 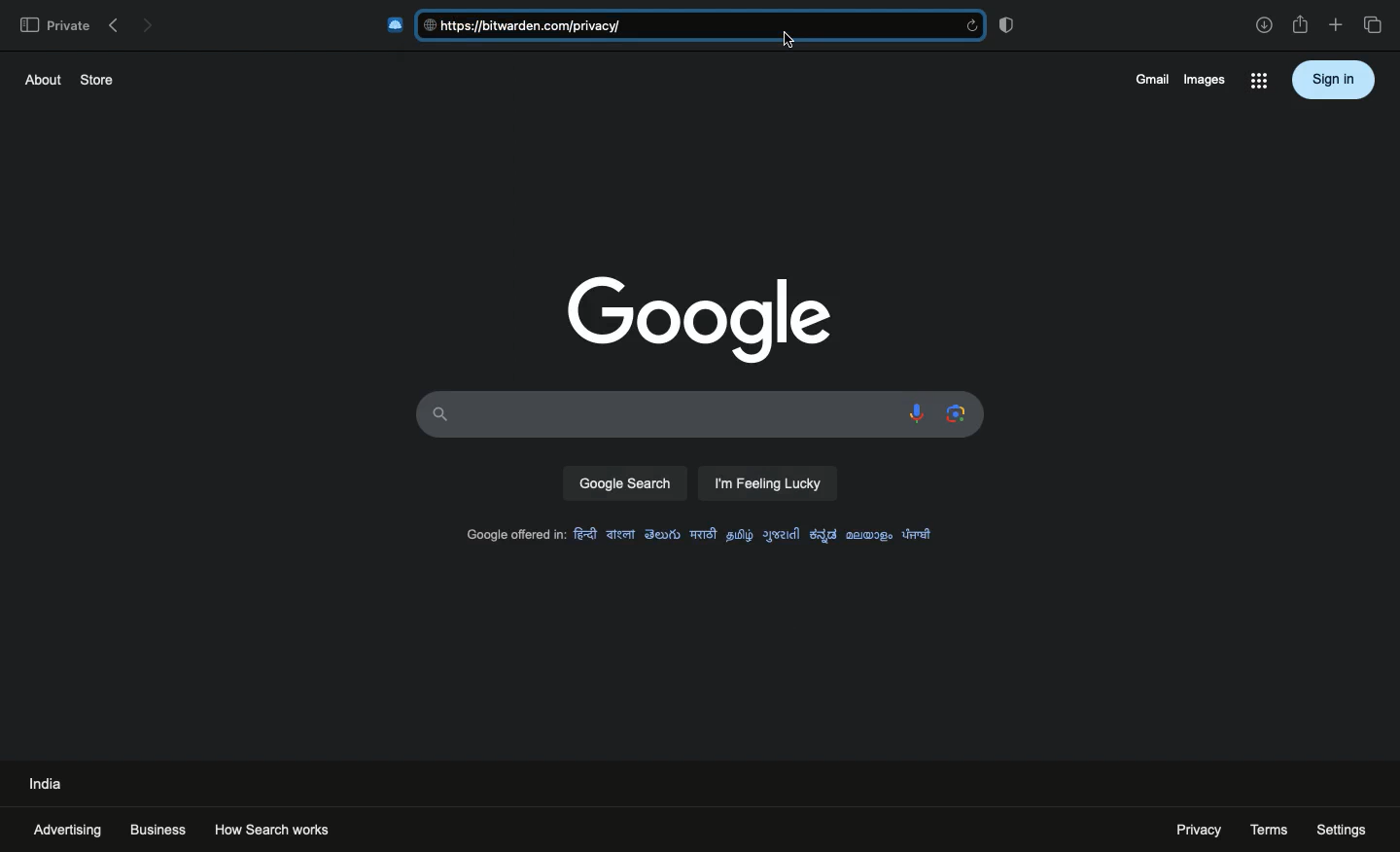 What do you see at coordinates (1192, 830) in the screenshot?
I see `privacy` at bounding box center [1192, 830].